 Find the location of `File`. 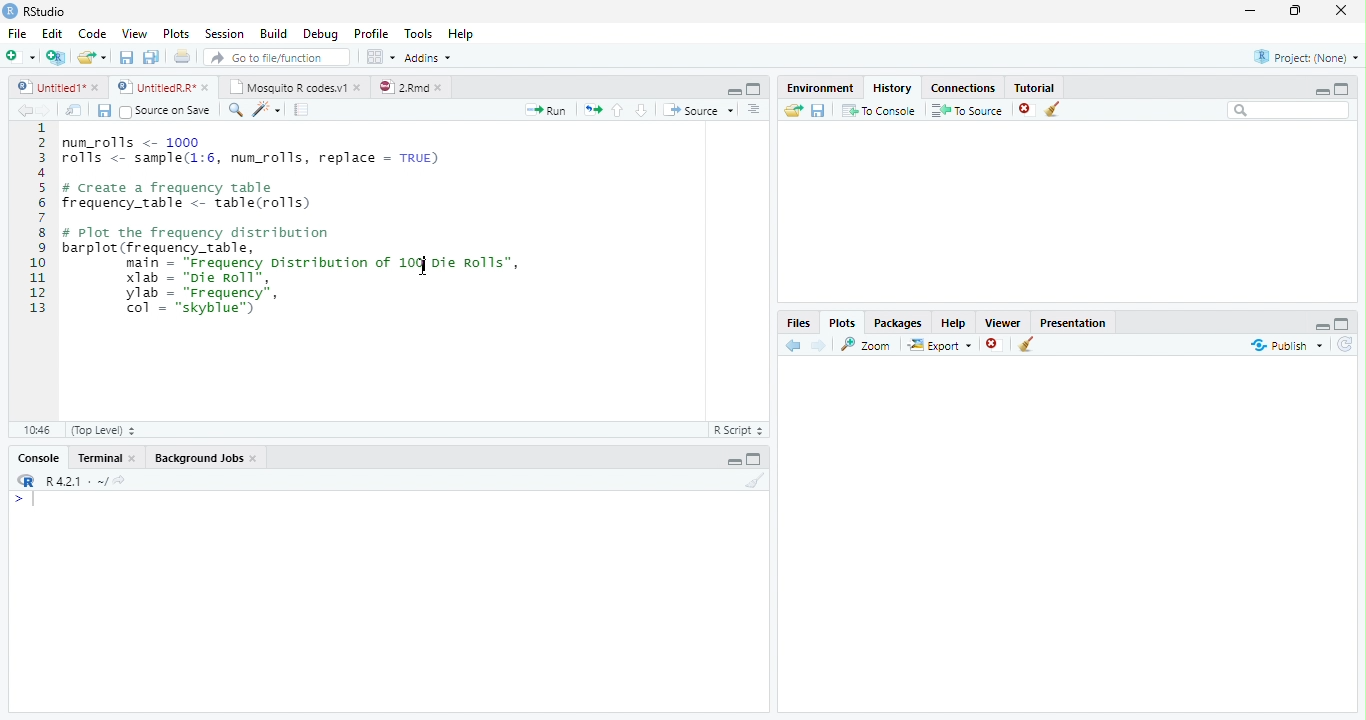

File is located at coordinates (18, 31).